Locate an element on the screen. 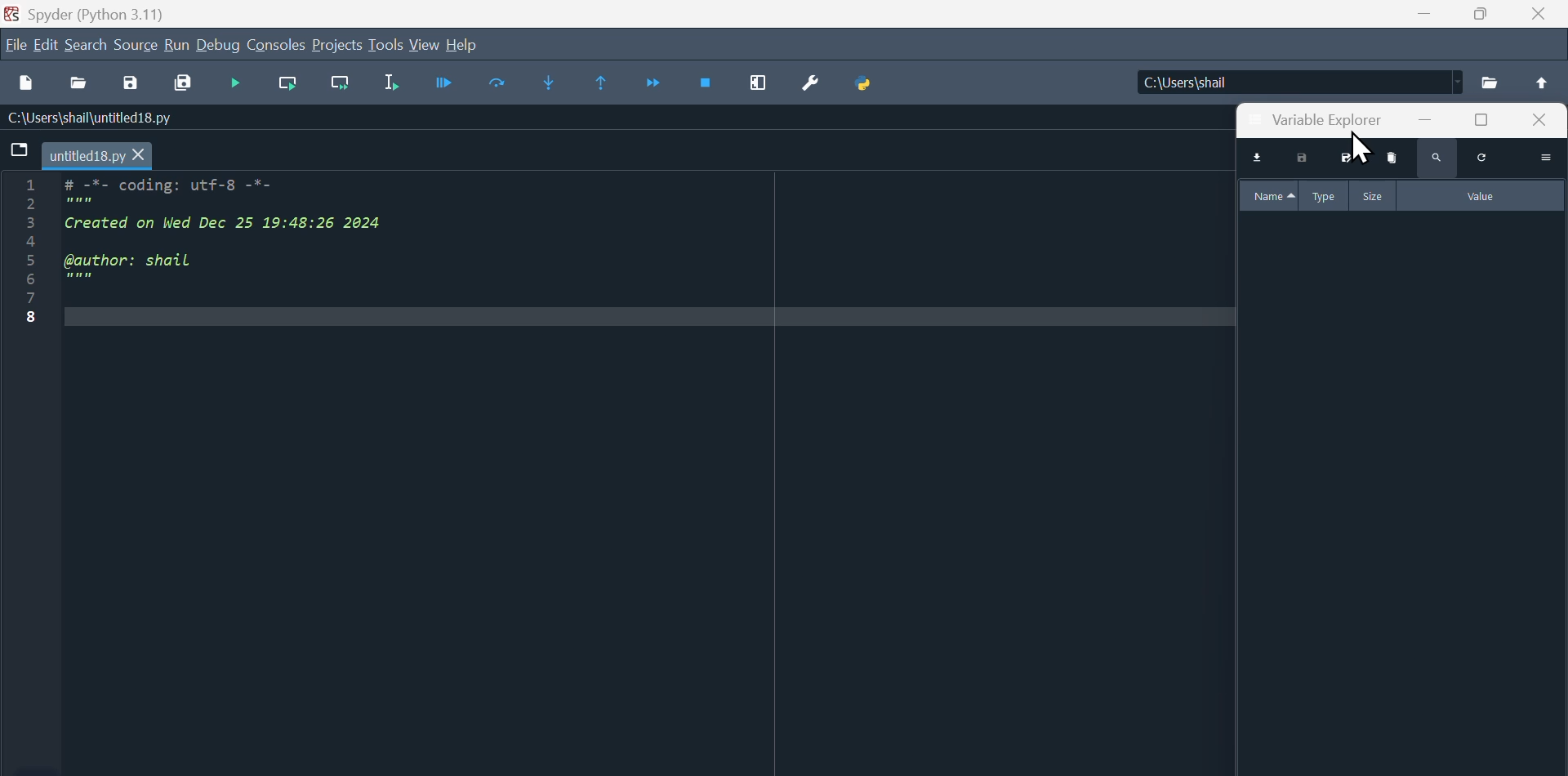 The height and width of the screenshot is (776, 1568). value is located at coordinates (1478, 196).